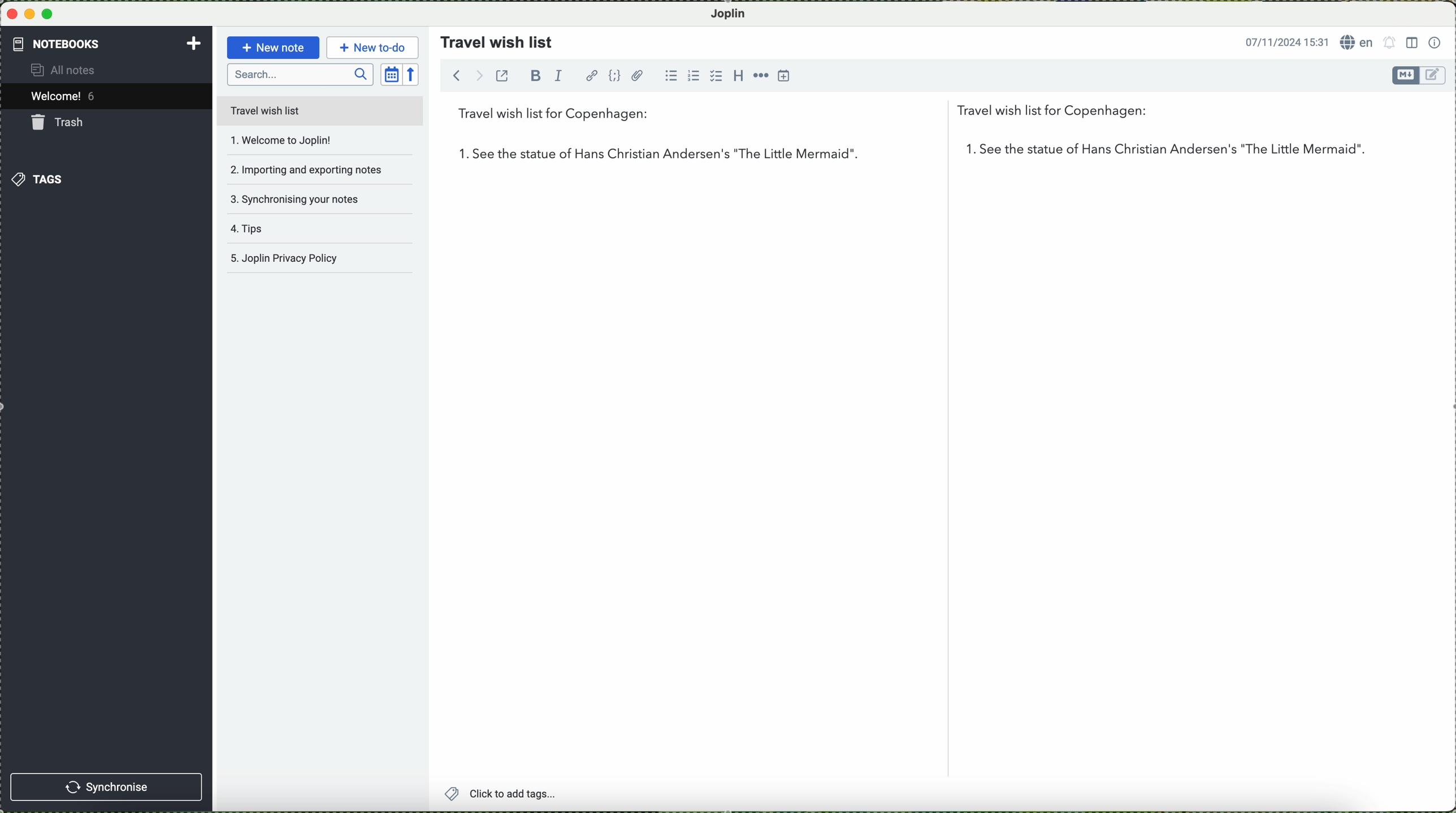 This screenshot has height=813, width=1456. Describe the element at coordinates (306, 168) in the screenshot. I see `importing and exporting notes` at that location.